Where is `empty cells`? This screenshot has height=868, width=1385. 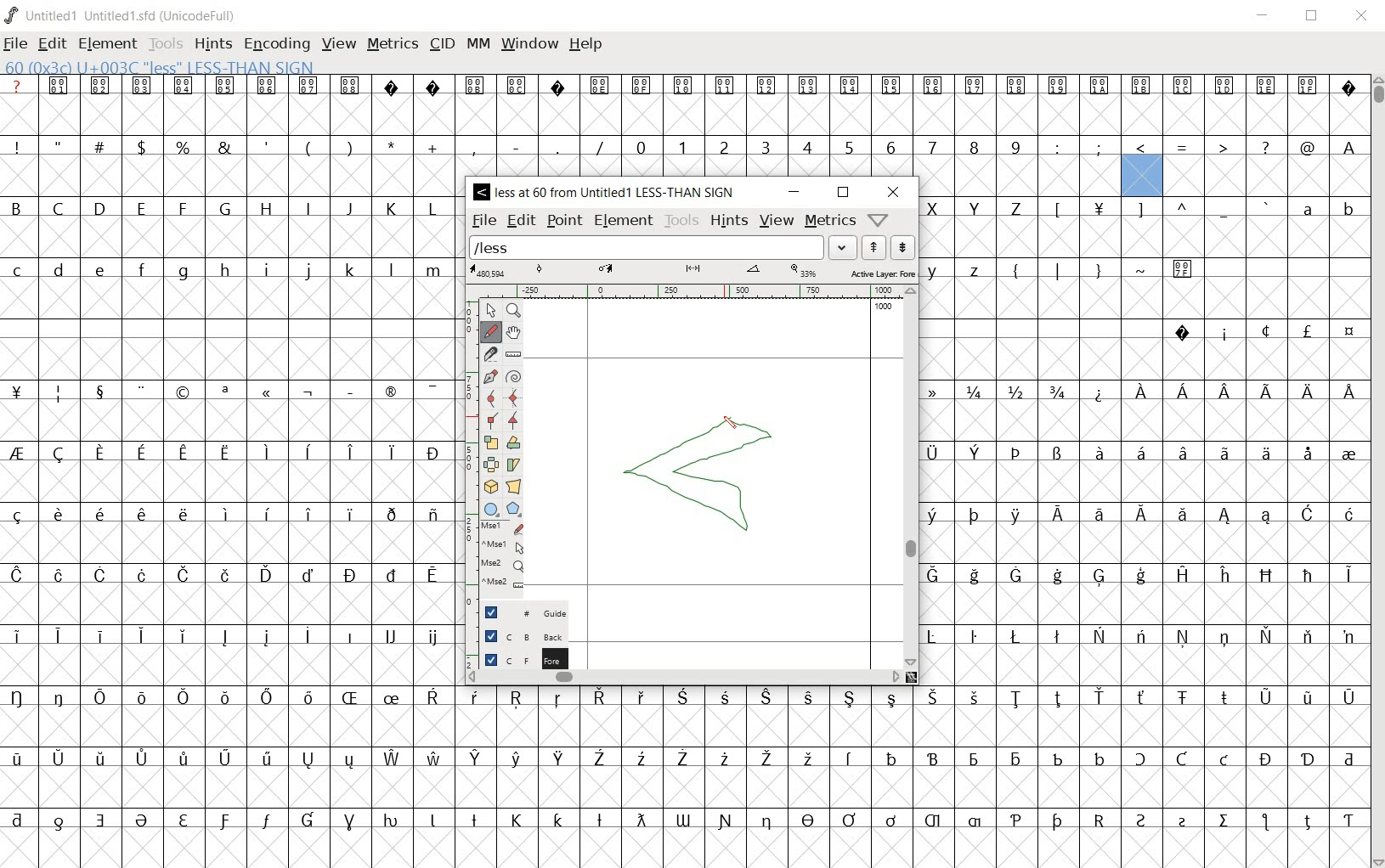 empty cells is located at coordinates (235, 482).